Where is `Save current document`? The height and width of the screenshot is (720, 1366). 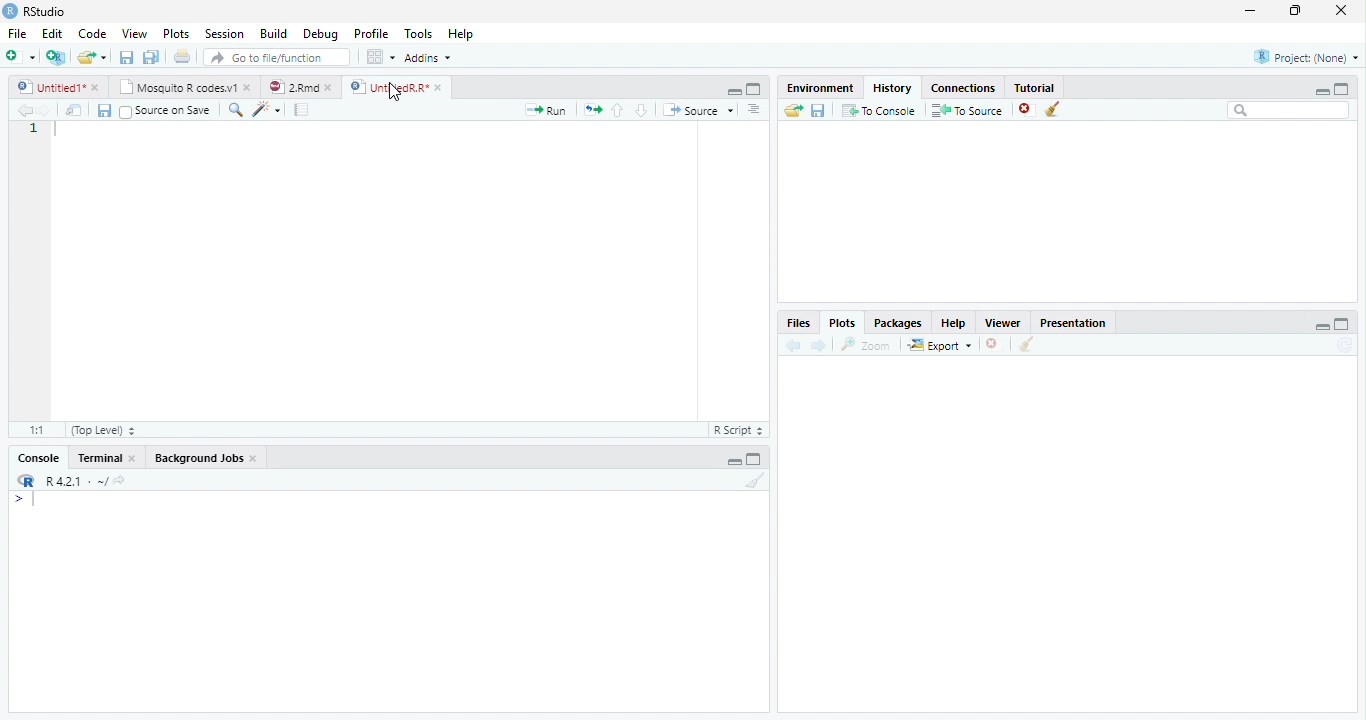 Save current document is located at coordinates (125, 56).